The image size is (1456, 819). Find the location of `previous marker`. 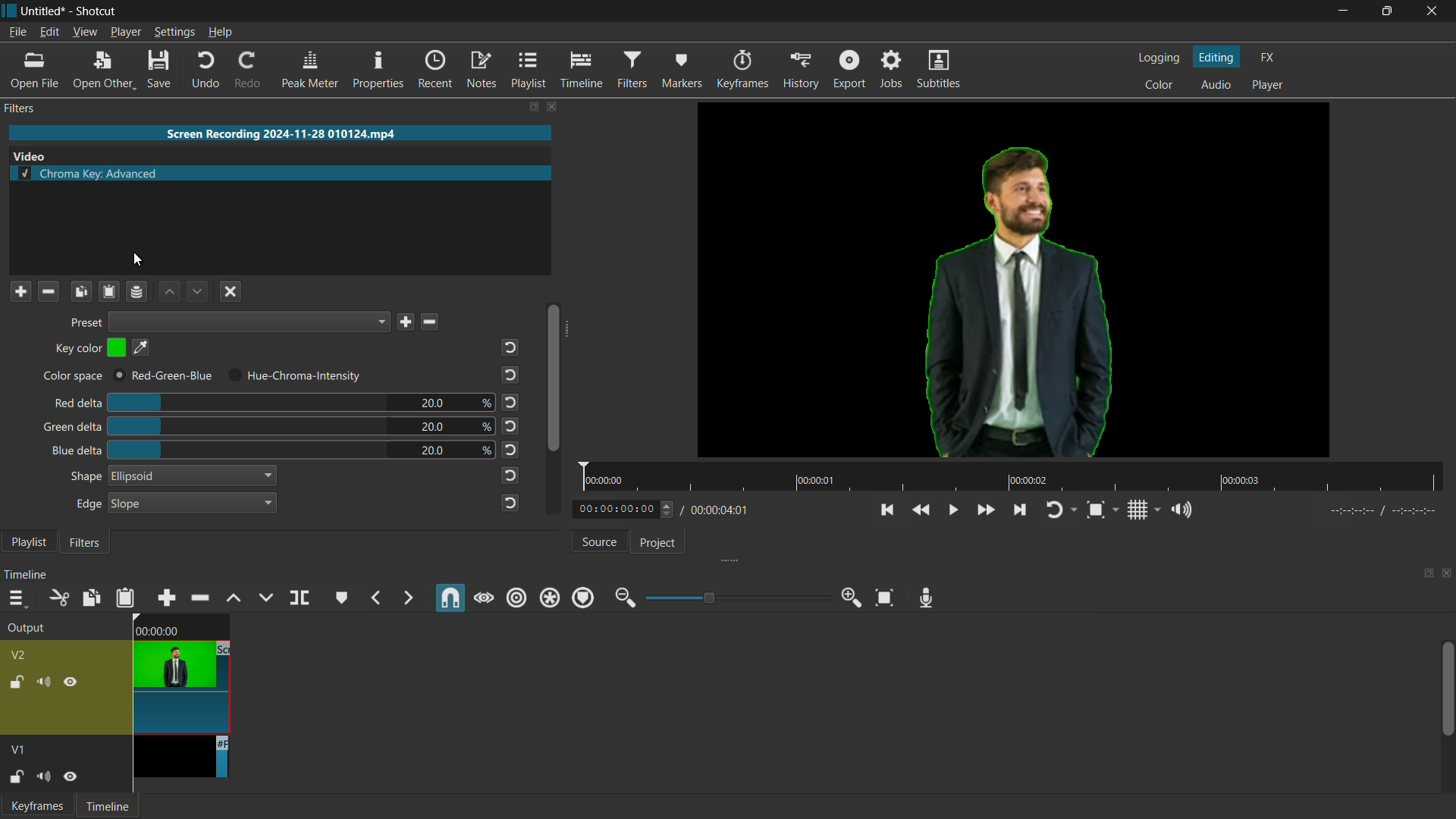

previous marker is located at coordinates (375, 598).